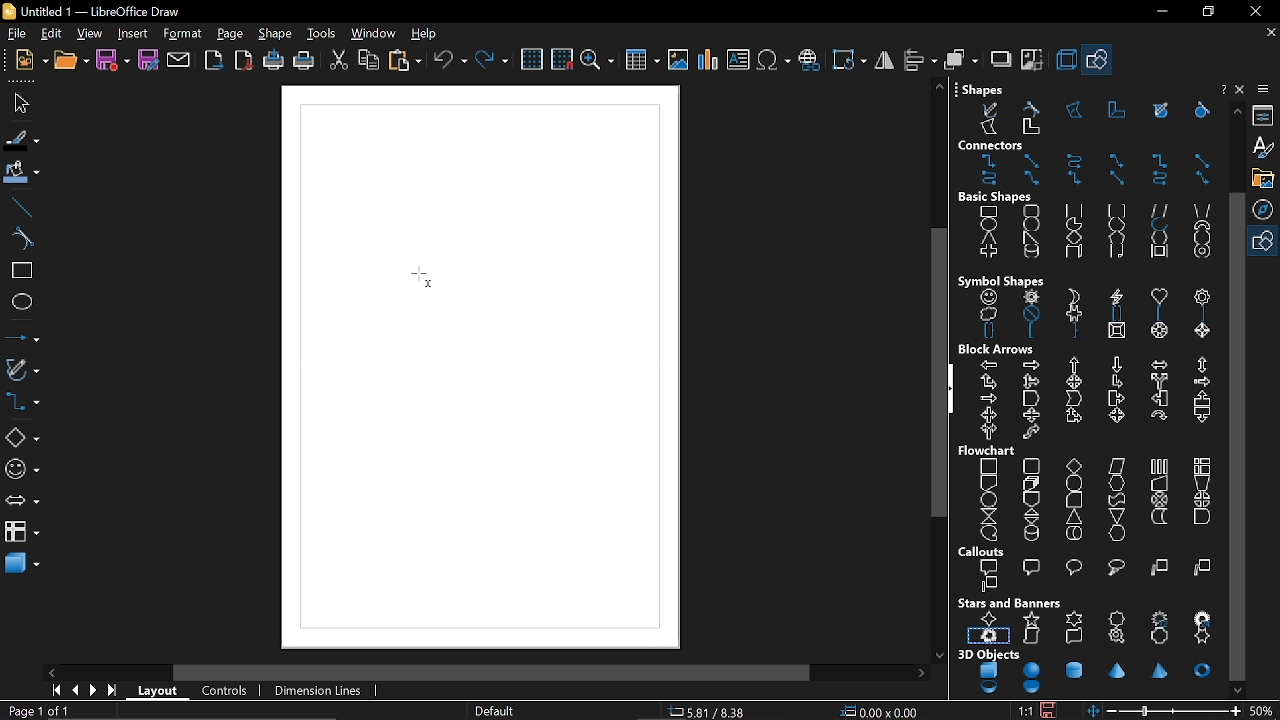 This screenshot has width=1280, height=720. What do you see at coordinates (774, 60) in the screenshot?
I see `insert symbol` at bounding box center [774, 60].